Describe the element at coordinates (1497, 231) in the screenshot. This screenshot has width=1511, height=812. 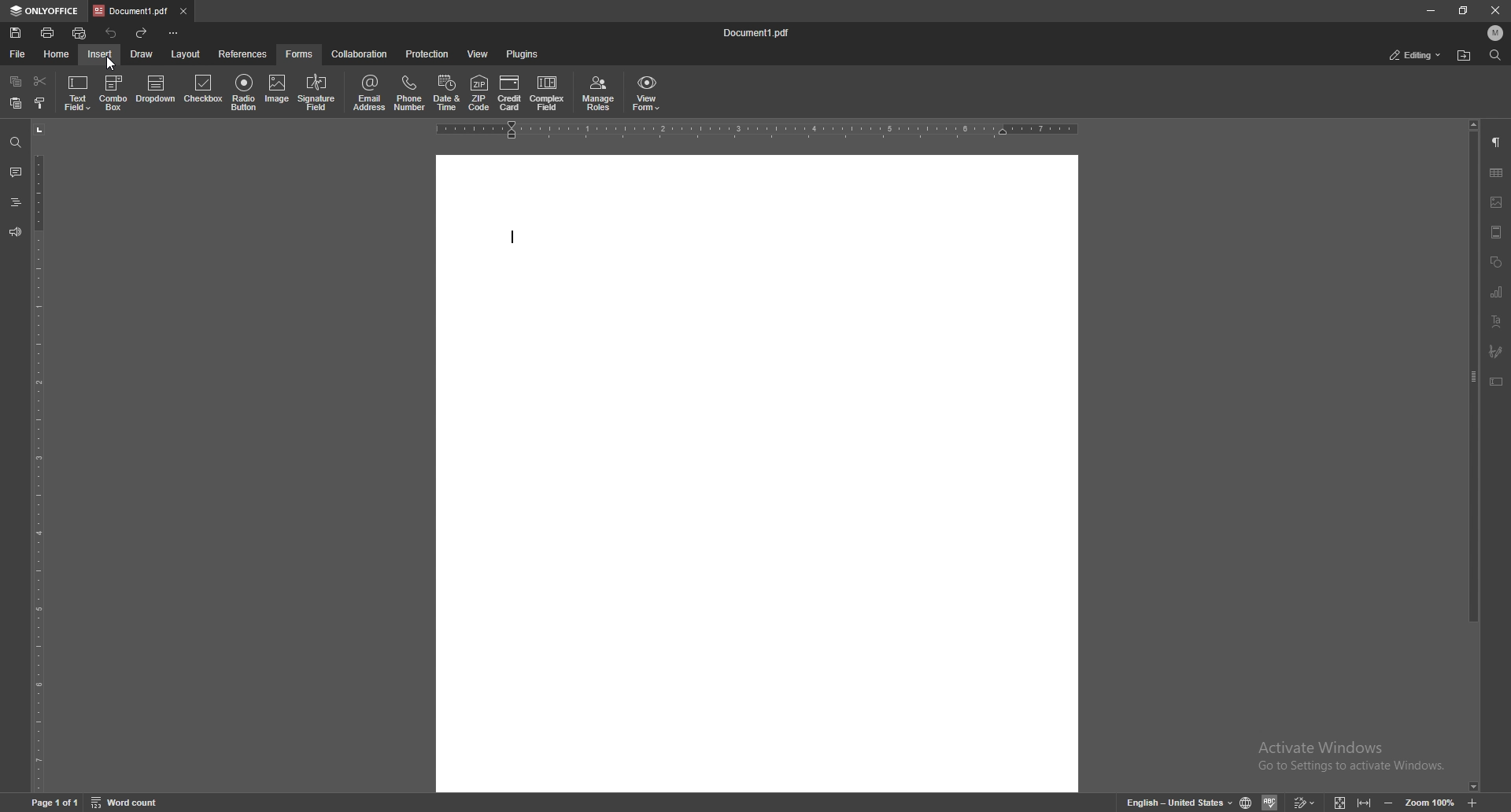
I see `header/footer` at that location.